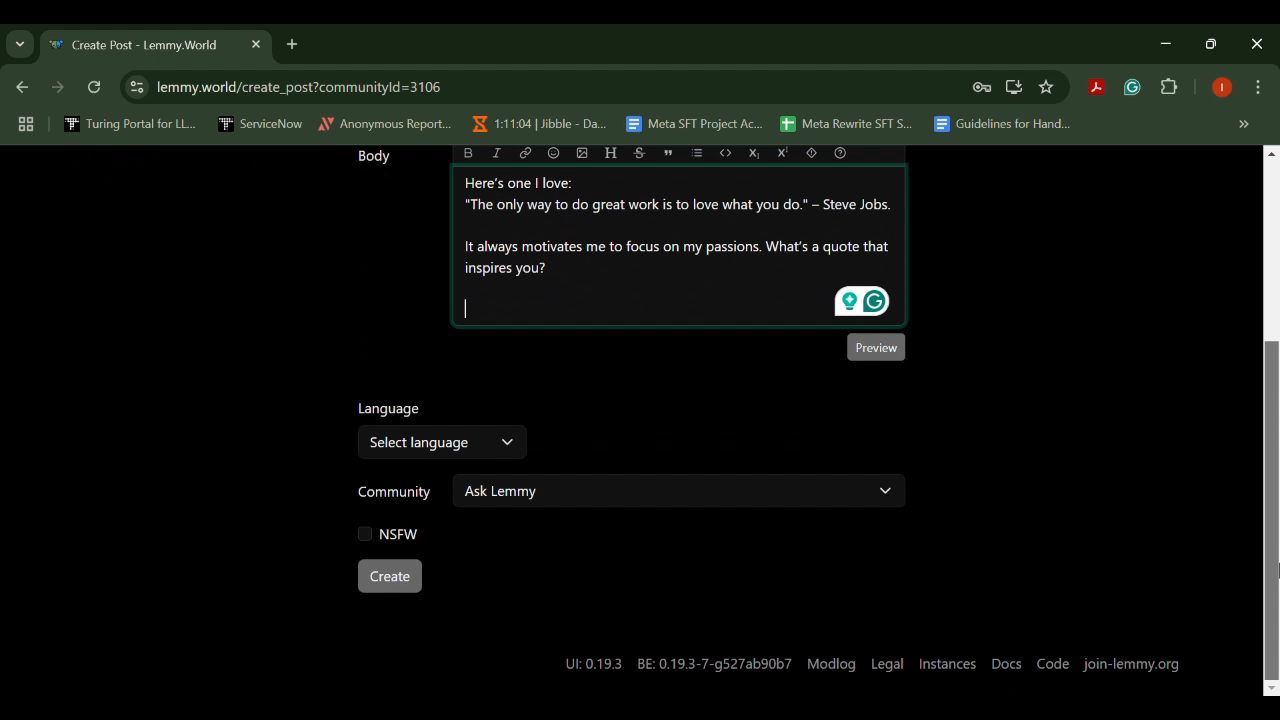  What do you see at coordinates (786, 153) in the screenshot?
I see `Superscript` at bounding box center [786, 153].